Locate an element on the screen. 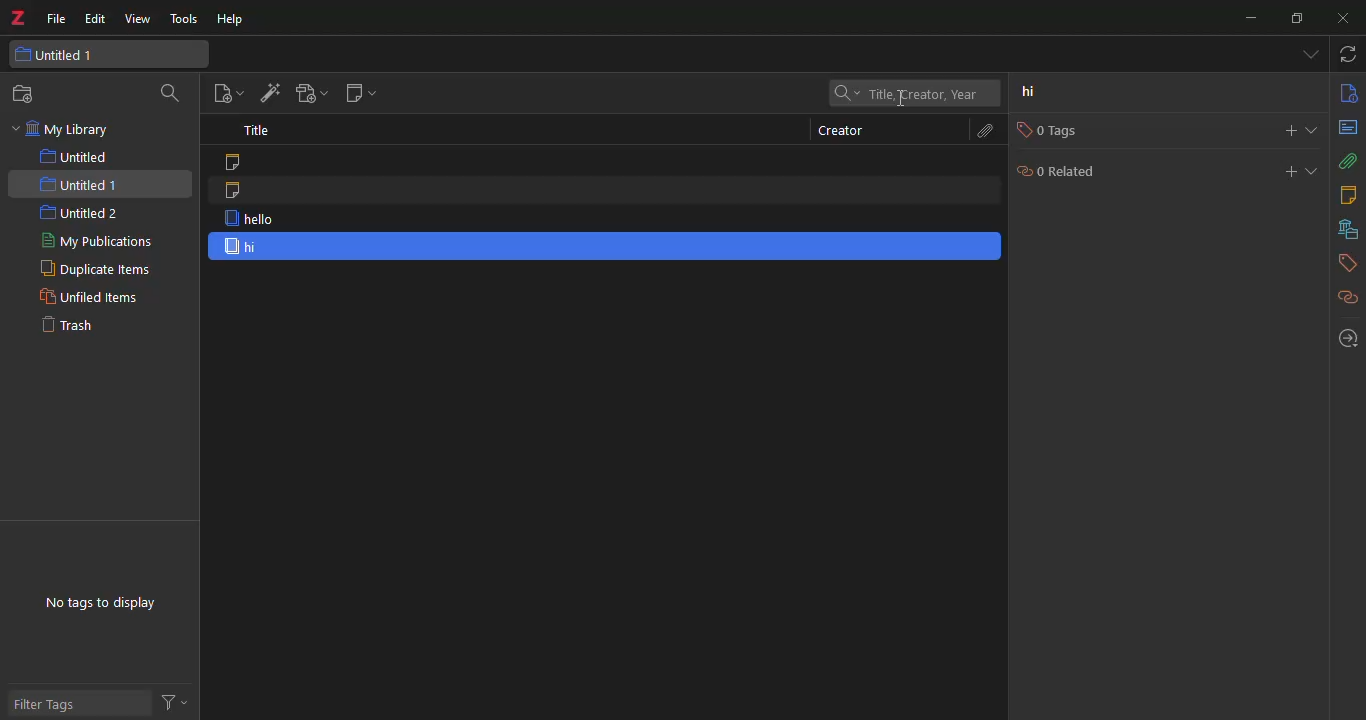 The image size is (1366, 720). info is located at coordinates (1348, 92).